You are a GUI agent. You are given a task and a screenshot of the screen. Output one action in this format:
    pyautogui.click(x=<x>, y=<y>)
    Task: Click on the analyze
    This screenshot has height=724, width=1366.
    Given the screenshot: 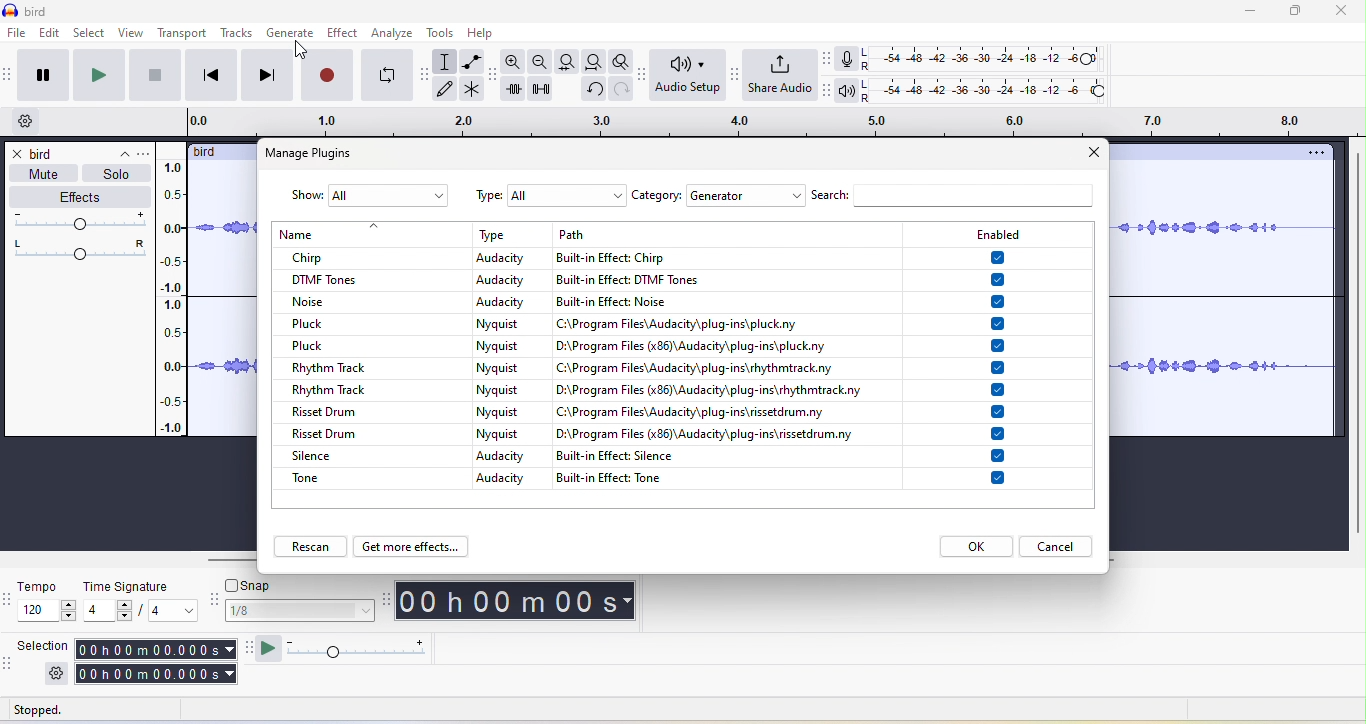 What is the action you would take?
    pyautogui.click(x=397, y=34)
    